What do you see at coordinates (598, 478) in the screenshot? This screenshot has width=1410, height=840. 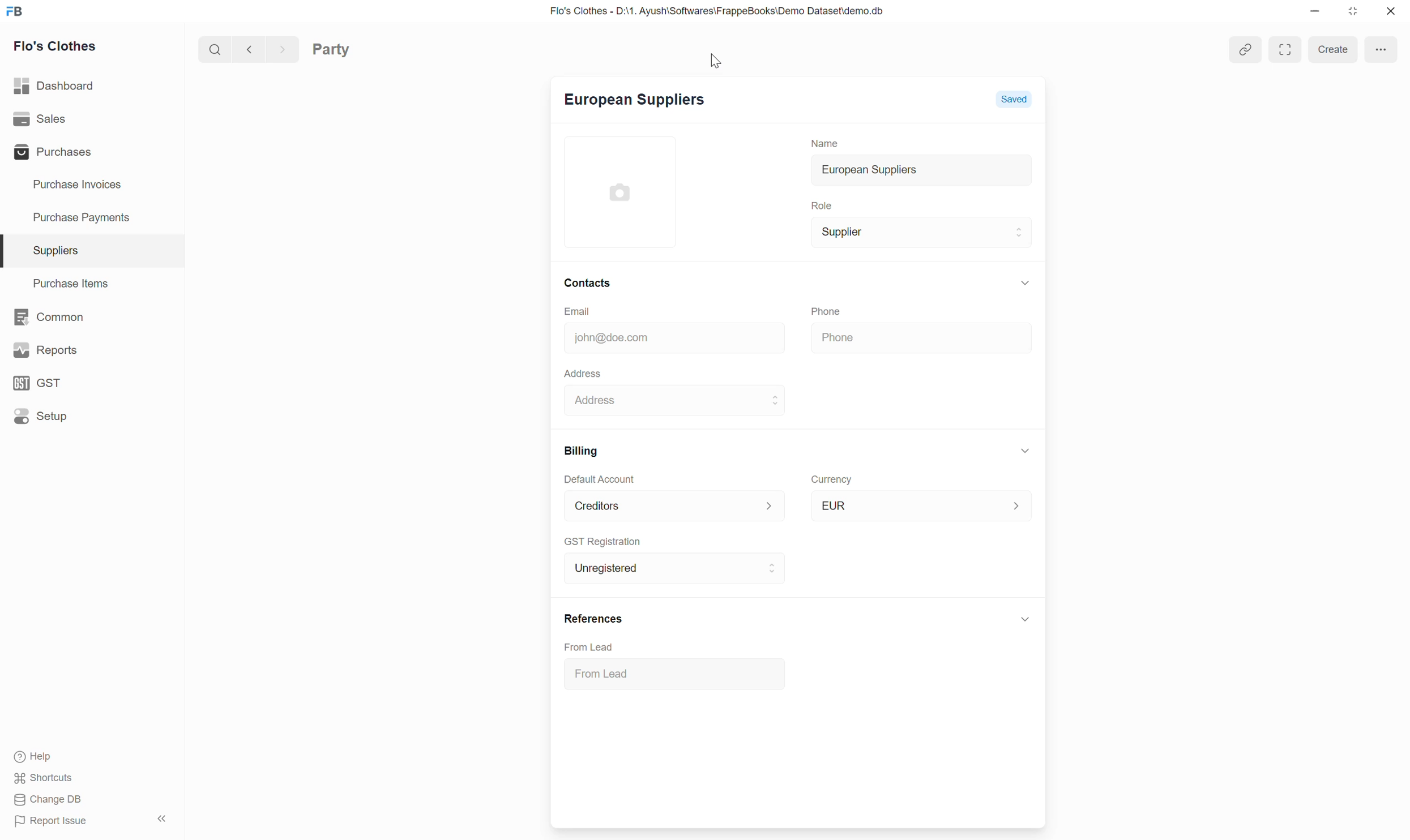 I see `Default Account` at bounding box center [598, 478].